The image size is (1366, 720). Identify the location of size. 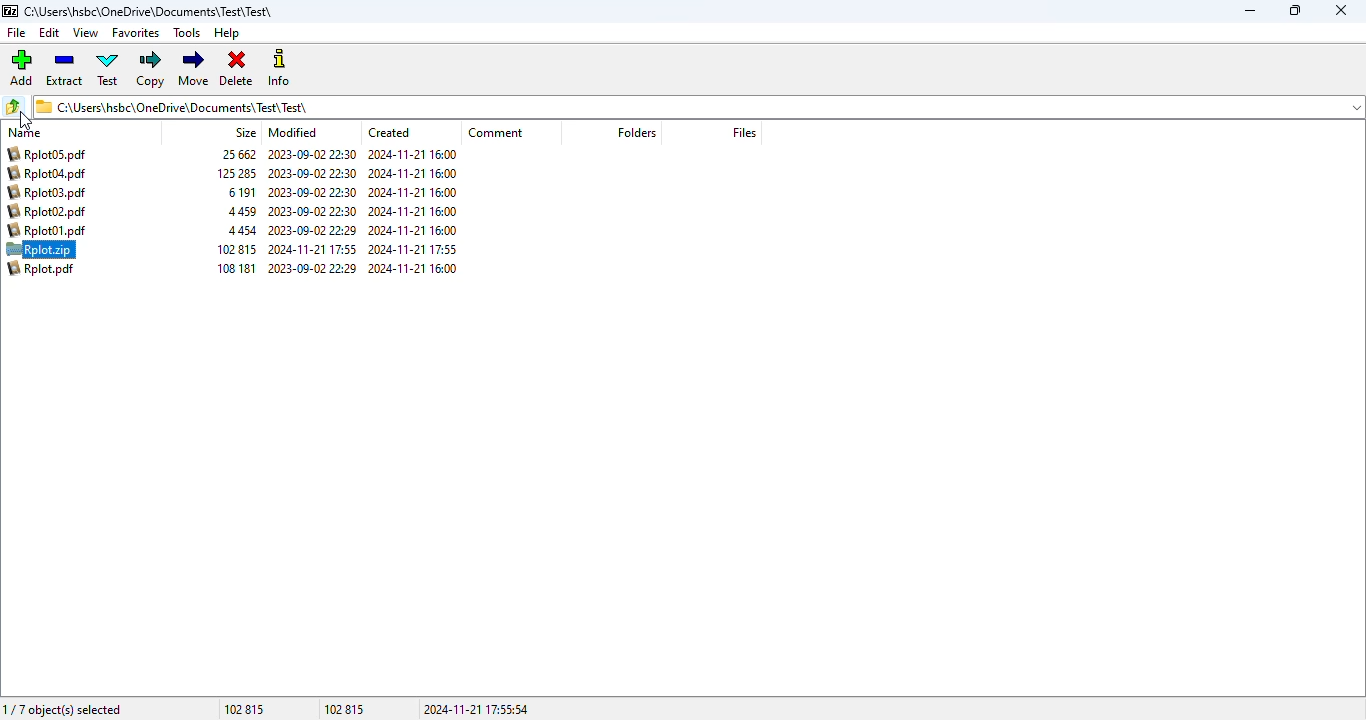
(246, 133).